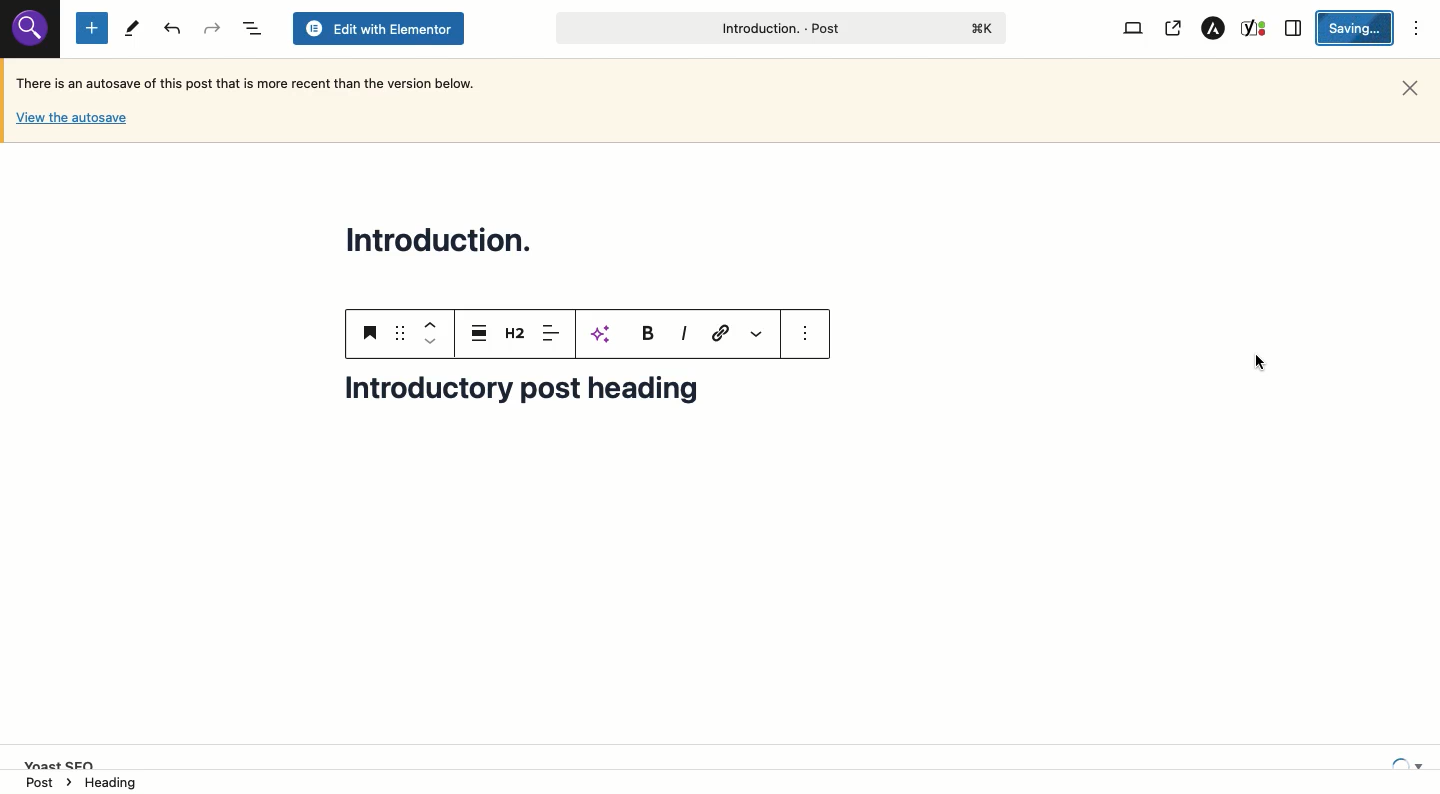 The image size is (1440, 794). Describe the element at coordinates (759, 334) in the screenshot. I see `More` at that location.